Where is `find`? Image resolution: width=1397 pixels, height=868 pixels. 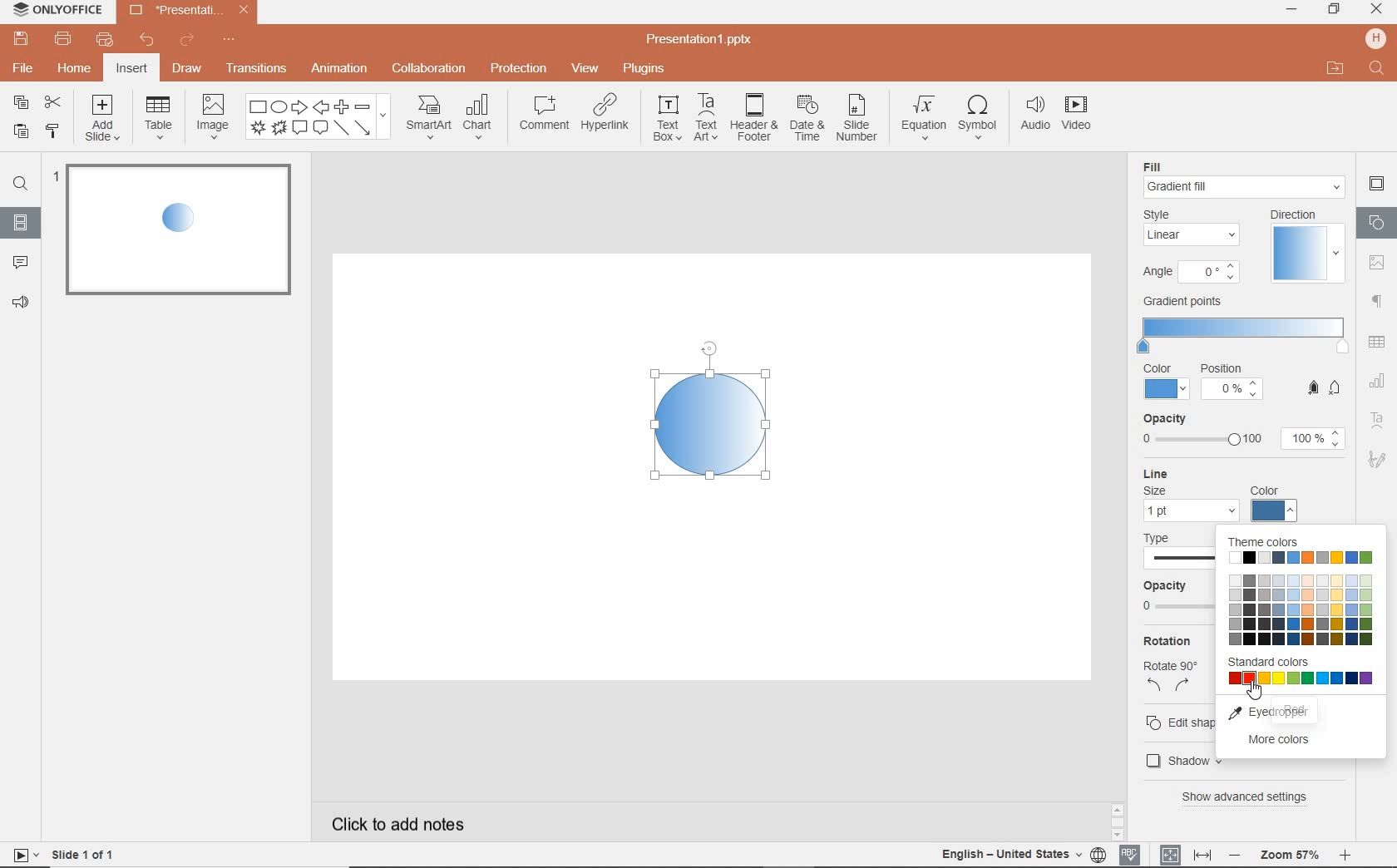 find is located at coordinates (20, 182).